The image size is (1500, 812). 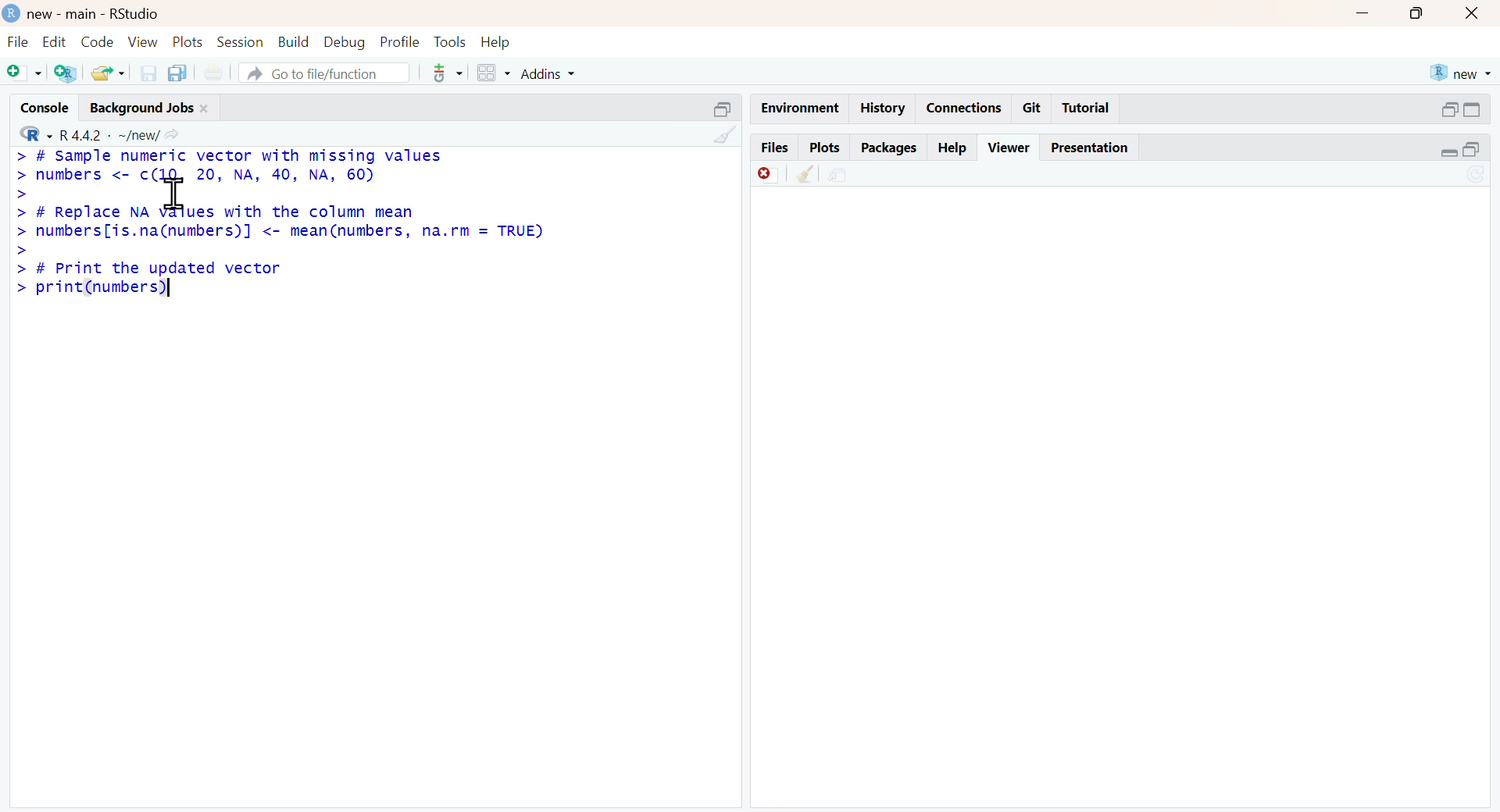 I want to click on R 4.4.2 ~/new/, so click(x=109, y=136).